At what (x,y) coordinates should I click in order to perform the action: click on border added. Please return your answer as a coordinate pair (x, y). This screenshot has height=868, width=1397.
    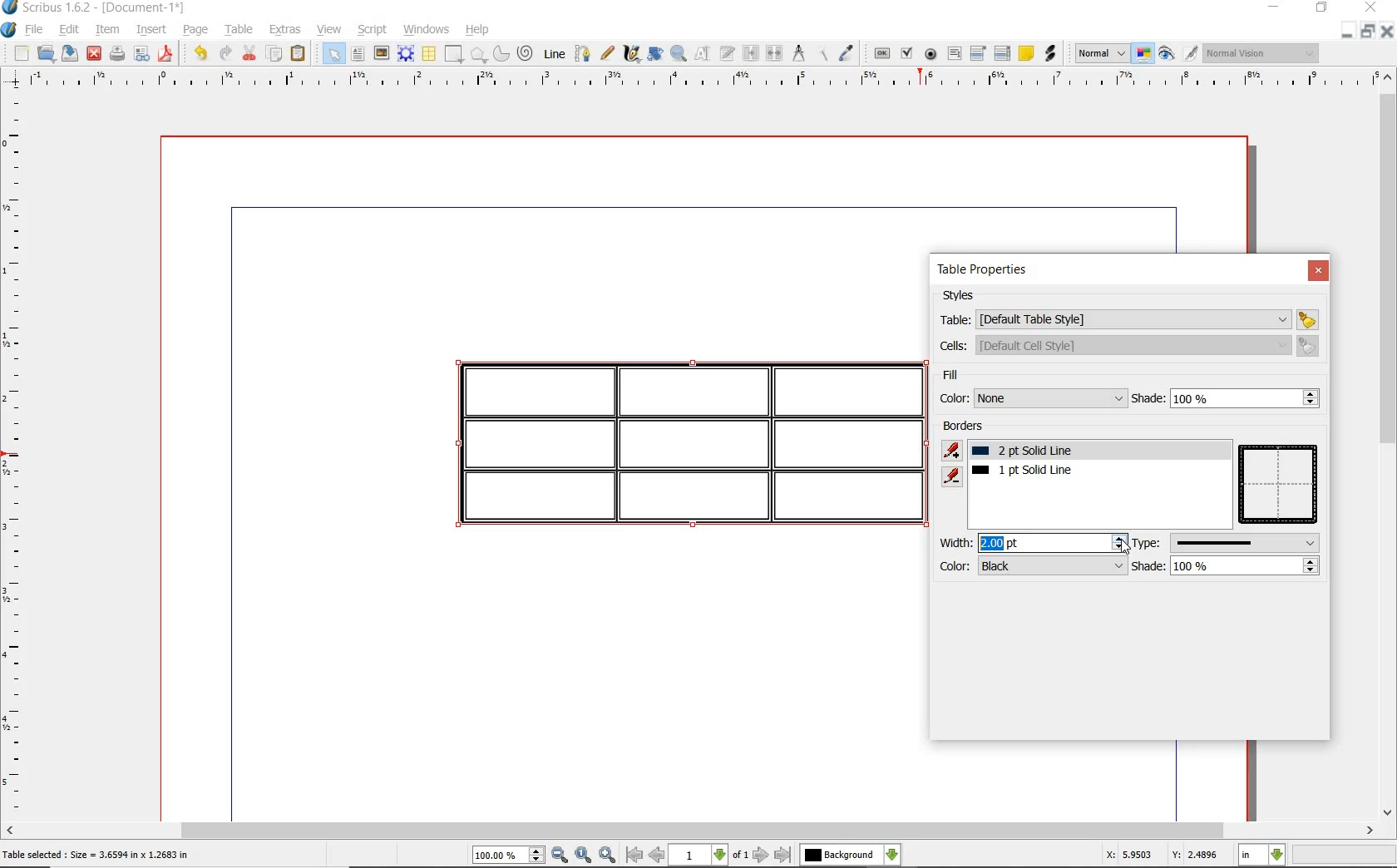
    Looking at the image, I should click on (1077, 469).